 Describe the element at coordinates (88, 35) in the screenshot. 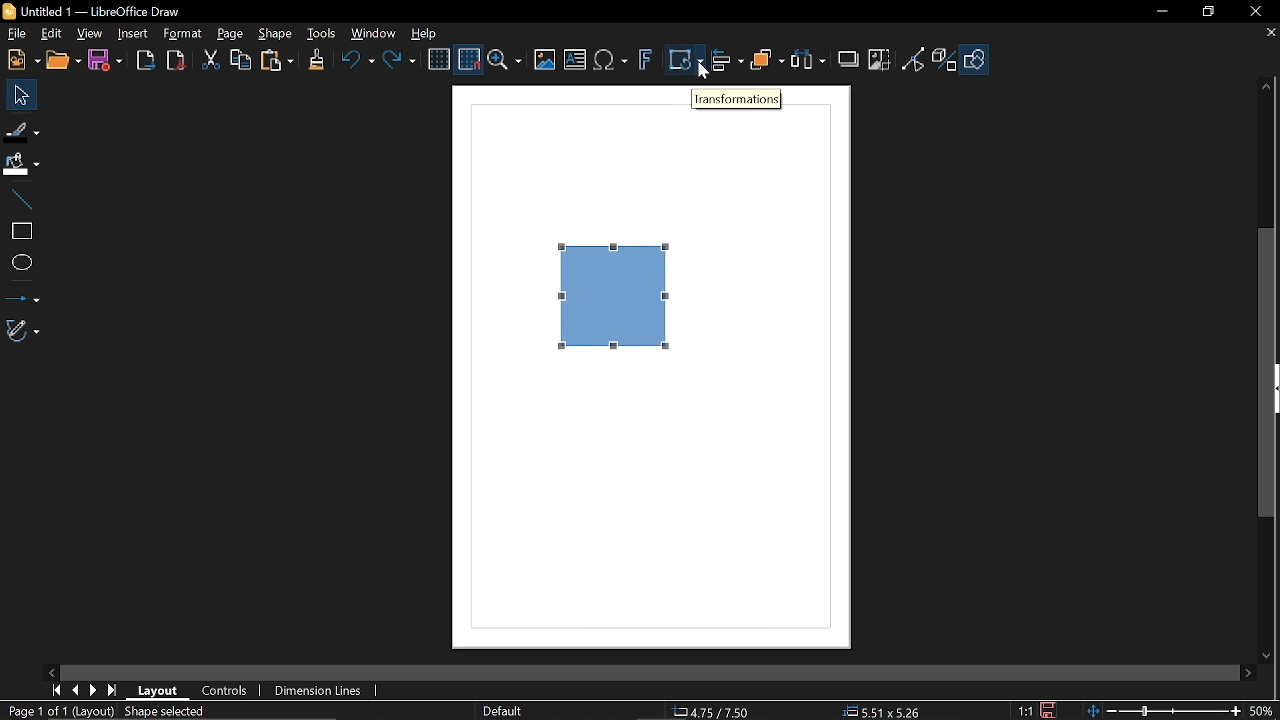

I see `View` at that location.